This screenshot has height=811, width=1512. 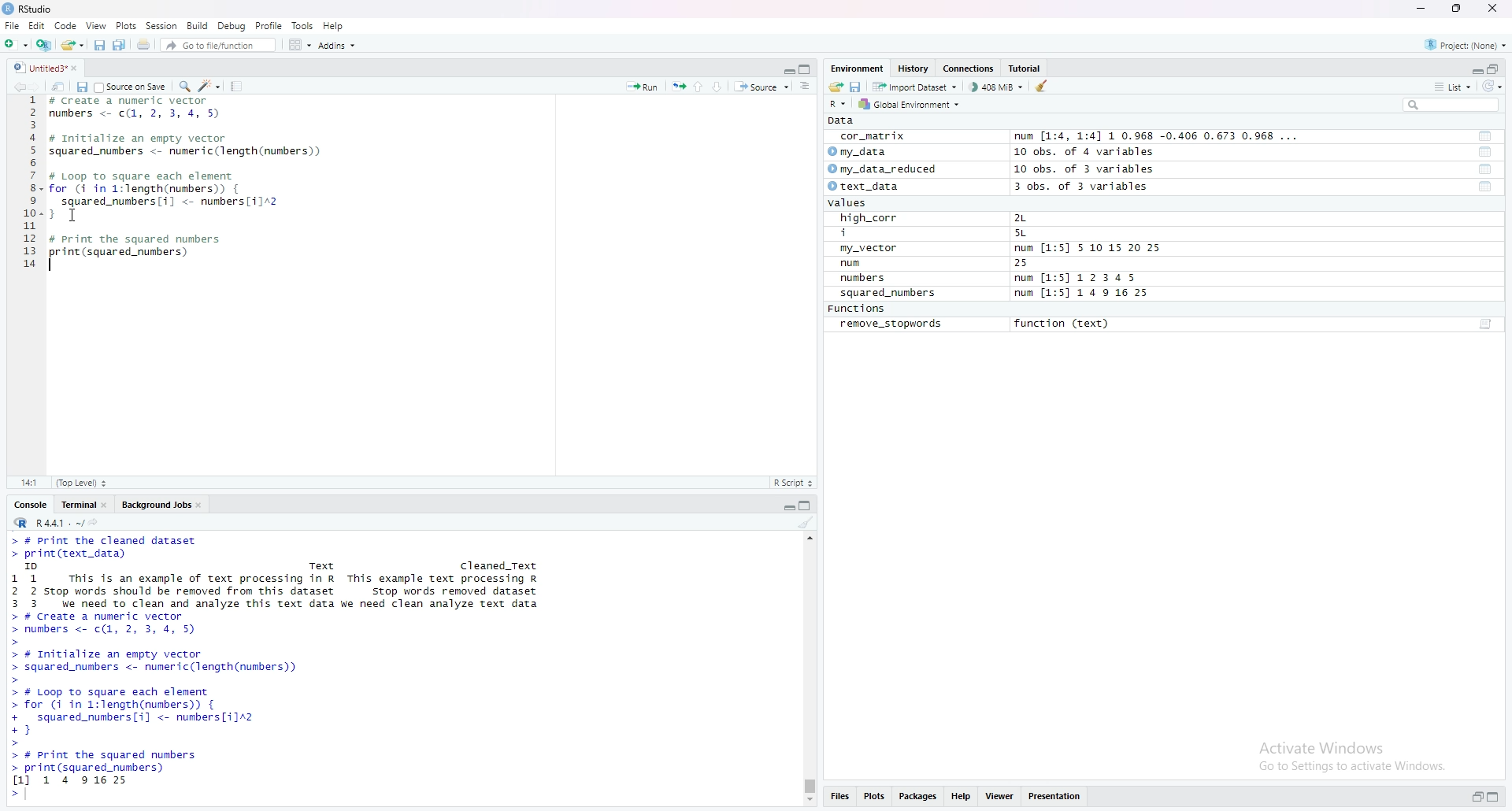 What do you see at coordinates (870, 249) in the screenshot?
I see `my_vector` at bounding box center [870, 249].